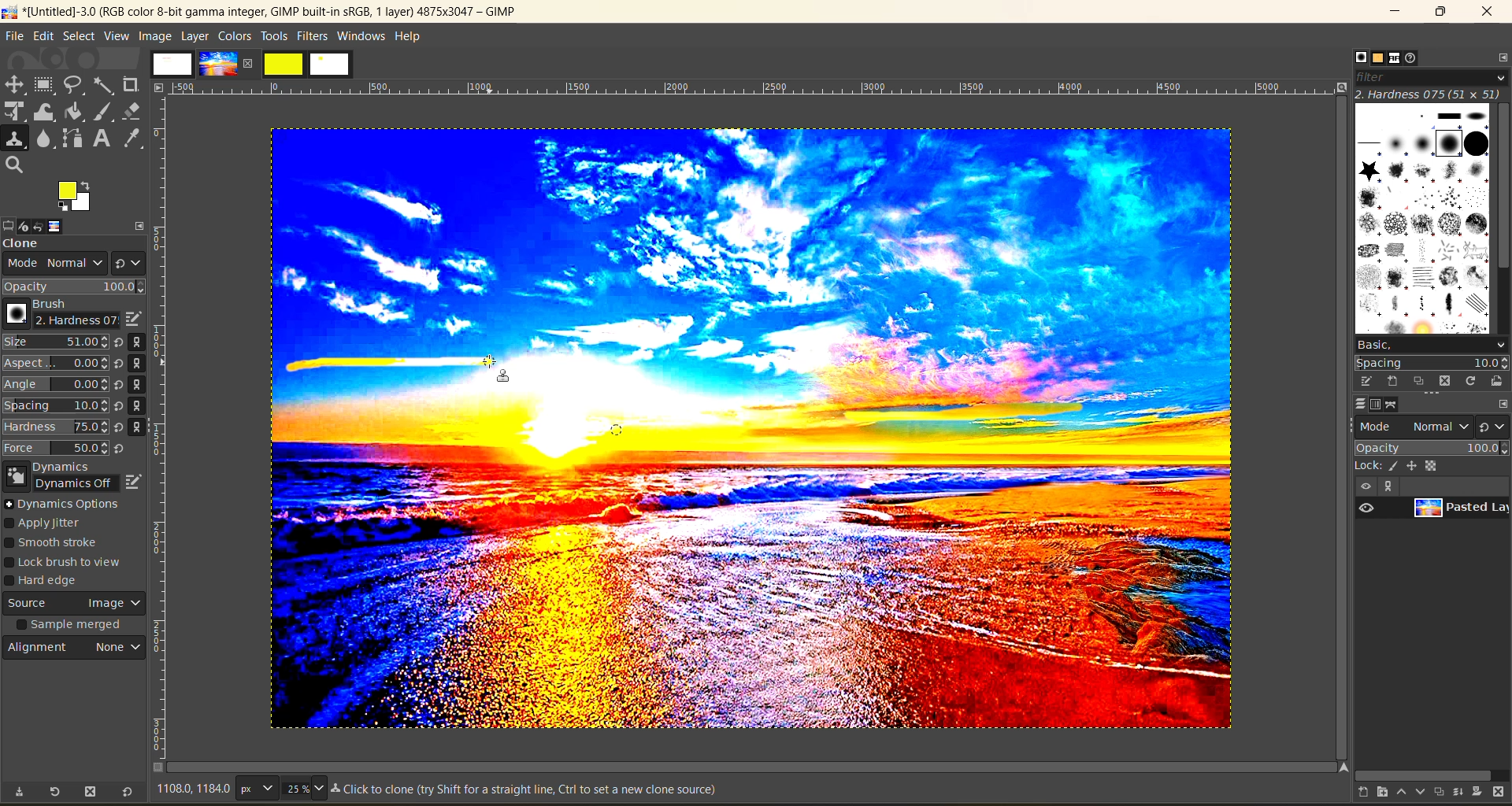 The height and width of the screenshot is (806, 1512). Describe the element at coordinates (1423, 773) in the screenshot. I see `horizontal scroll bar` at that location.